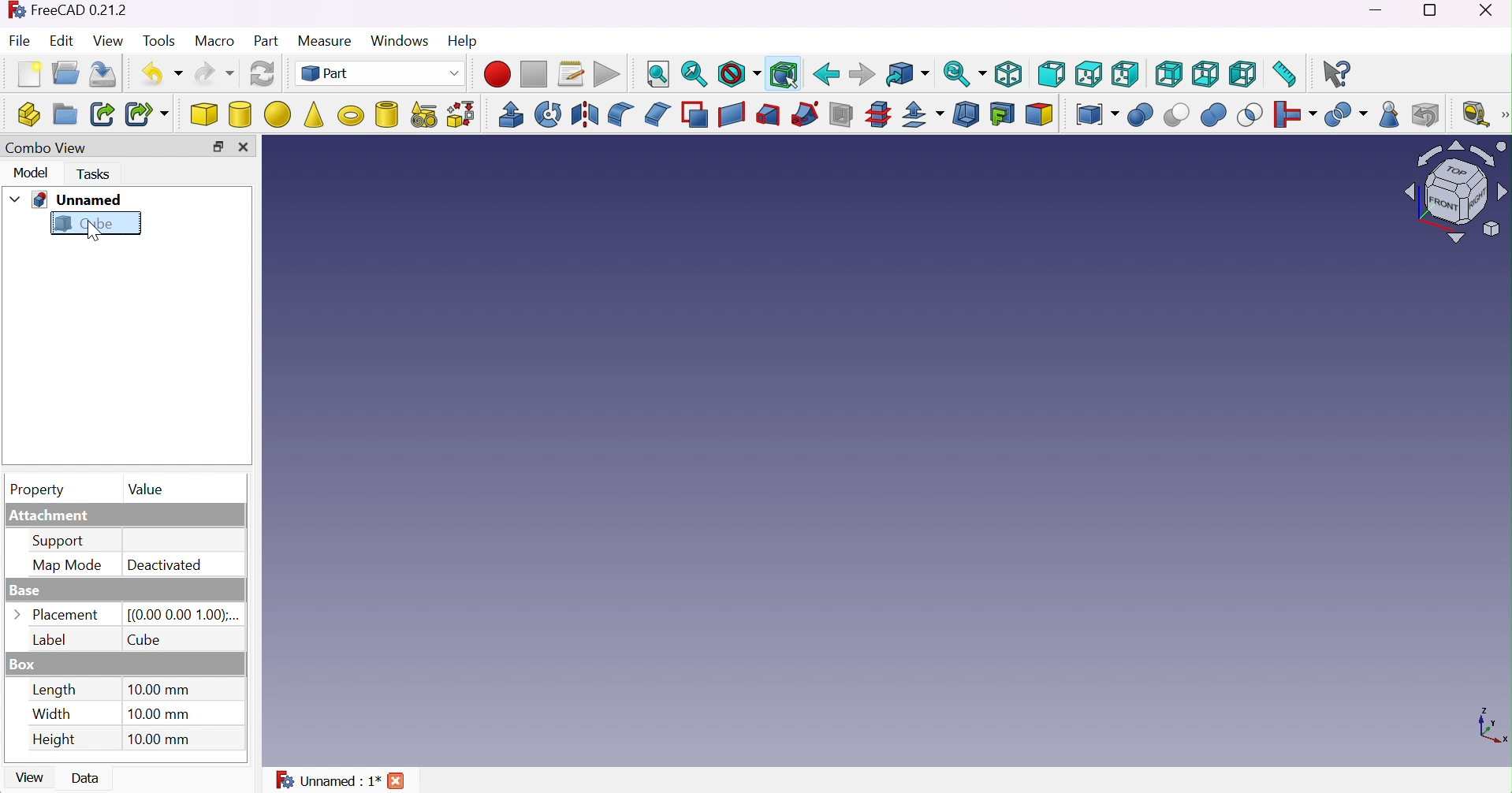 This screenshot has height=793, width=1512. What do you see at coordinates (1344, 116) in the screenshot?
I see `Split objects` at bounding box center [1344, 116].